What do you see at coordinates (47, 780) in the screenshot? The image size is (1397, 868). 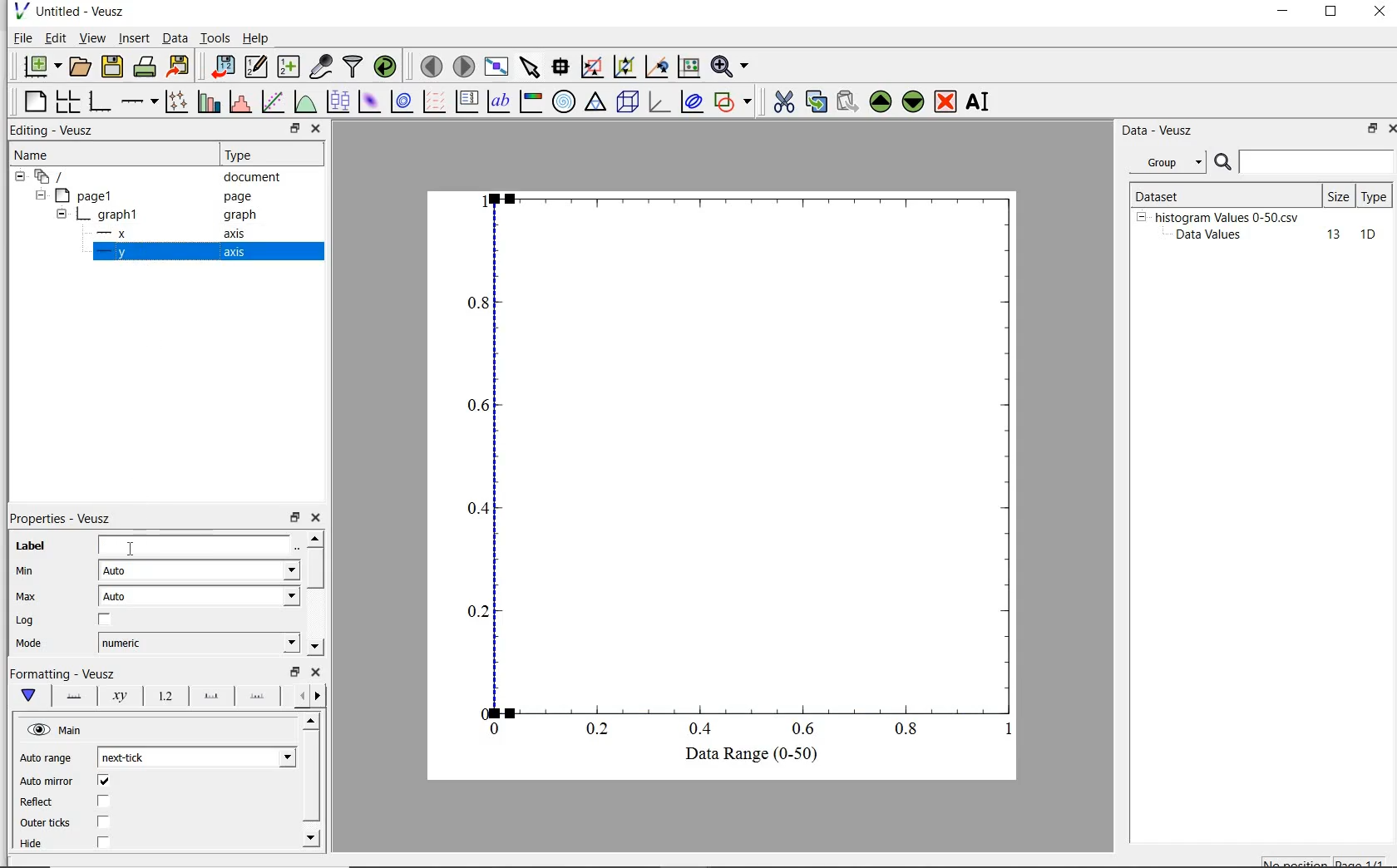 I see `‘Auto mirror` at bounding box center [47, 780].